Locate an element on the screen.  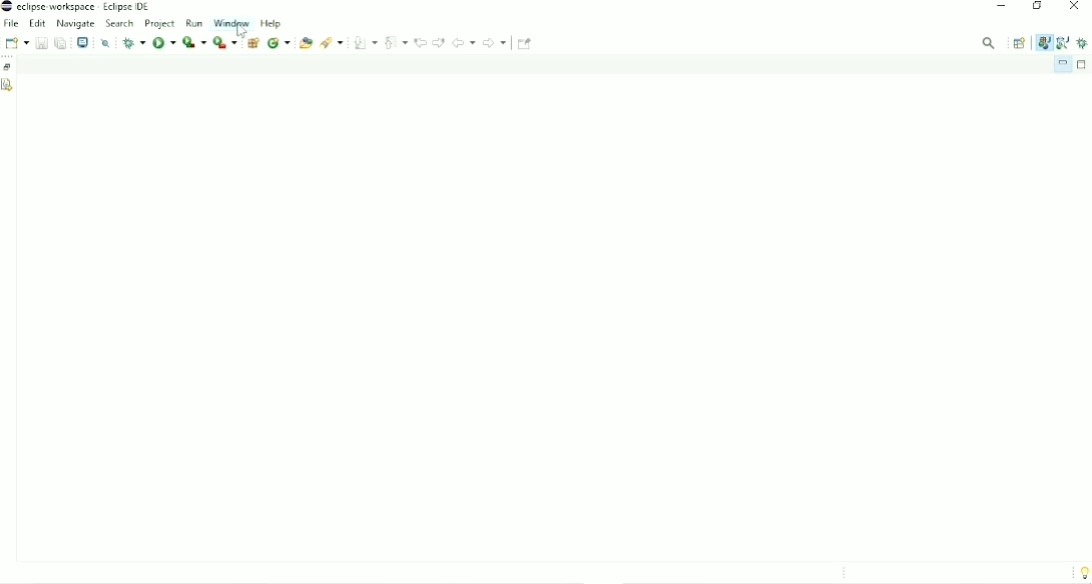
Restore is located at coordinates (9, 67).